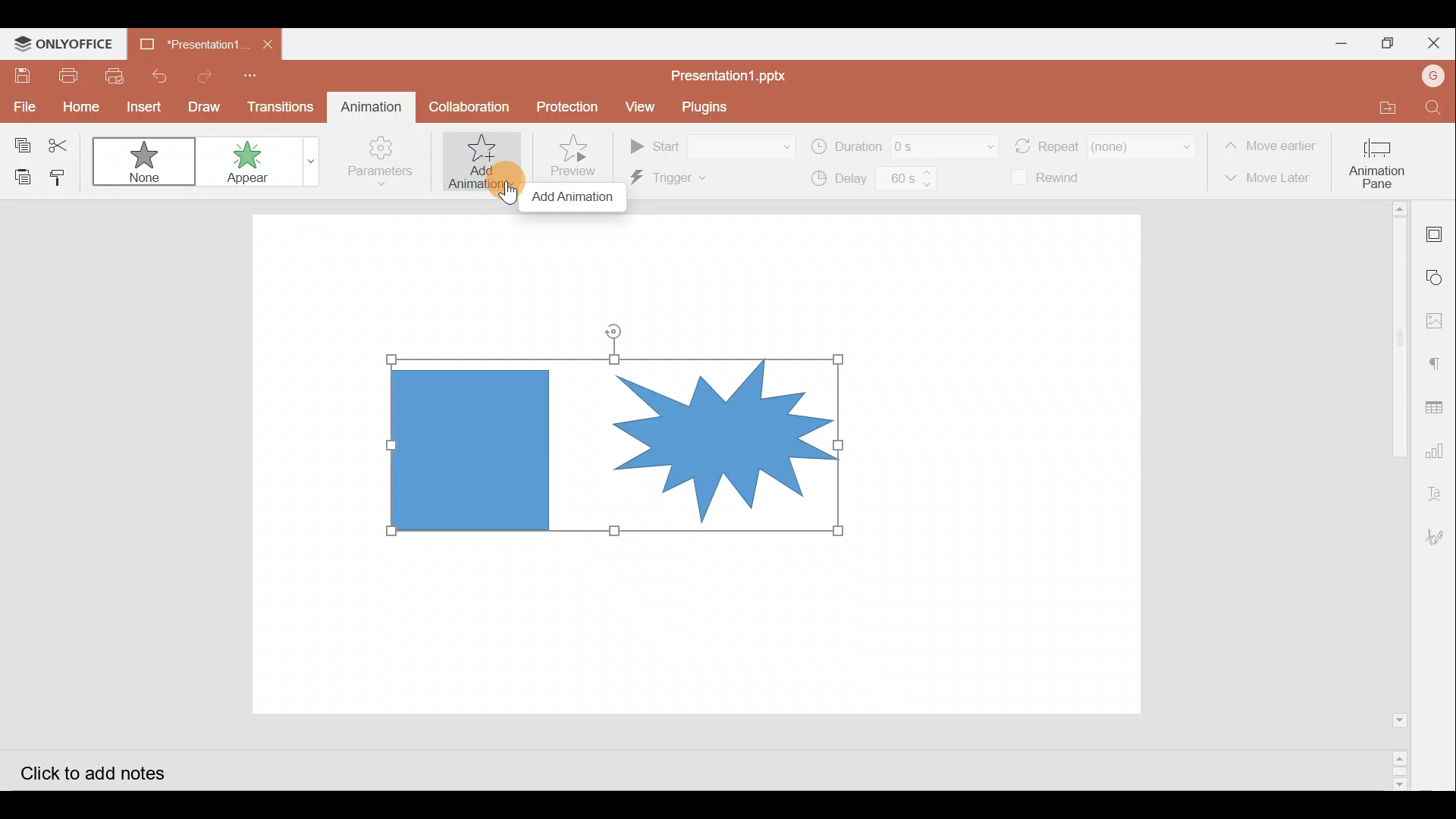 The image size is (1456, 819). What do you see at coordinates (1382, 159) in the screenshot?
I see `Animation pane` at bounding box center [1382, 159].